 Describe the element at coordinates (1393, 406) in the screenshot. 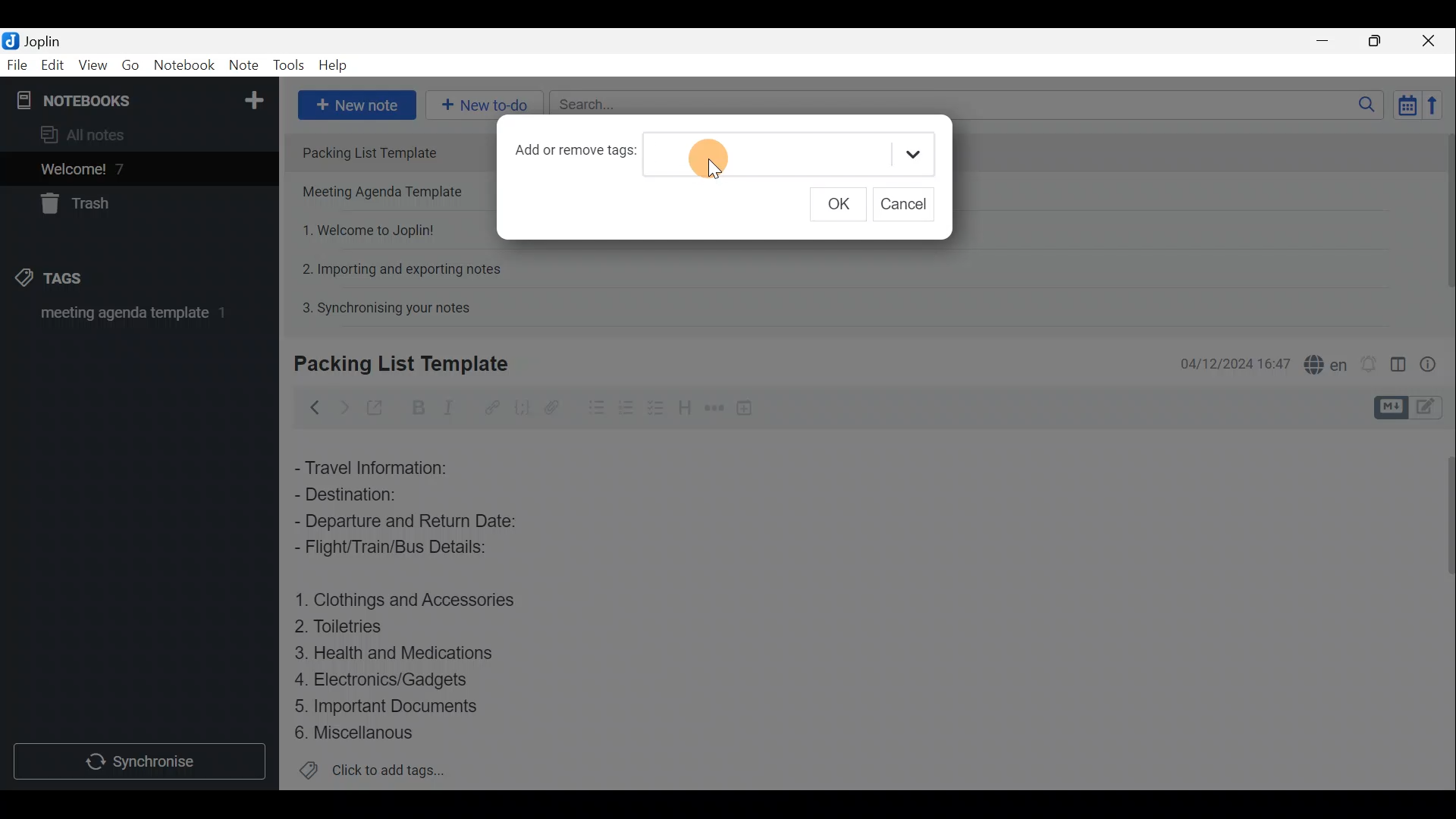

I see `Toggle editors` at that location.